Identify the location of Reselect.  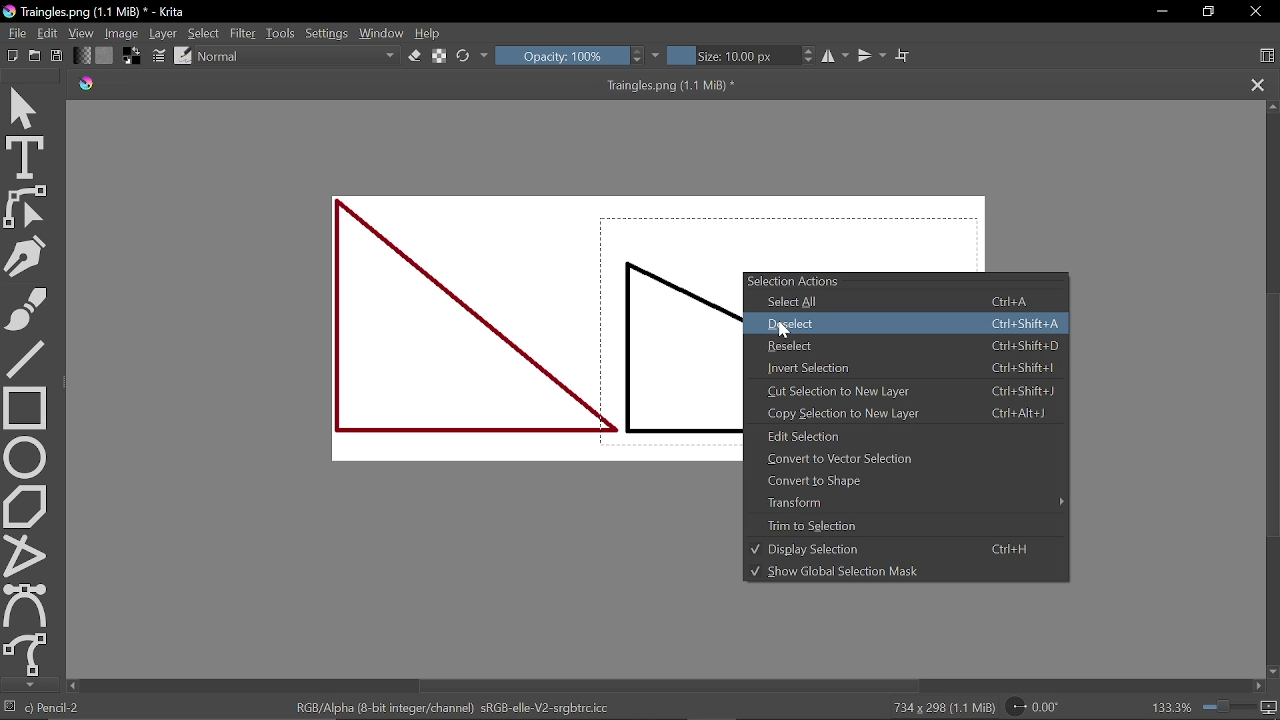
(909, 345).